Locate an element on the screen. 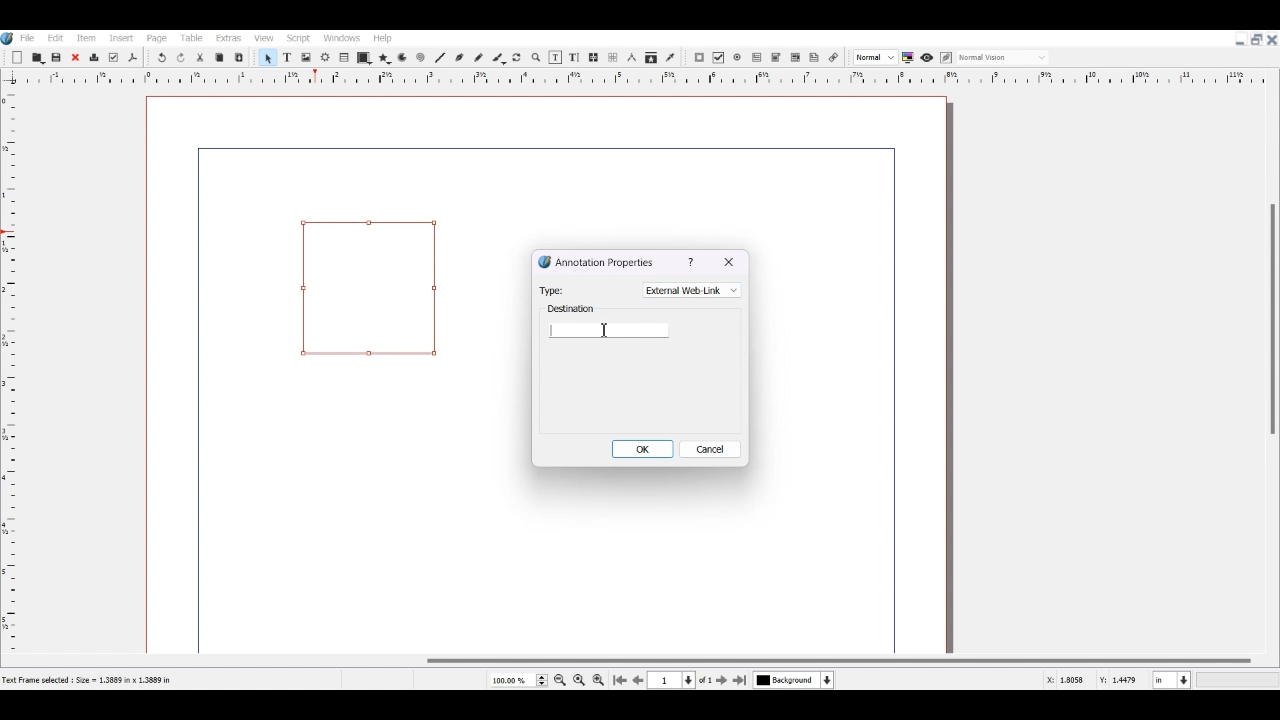 Image resolution: width=1280 pixels, height=720 pixels. Link text Frame is located at coordinates (594, 57).